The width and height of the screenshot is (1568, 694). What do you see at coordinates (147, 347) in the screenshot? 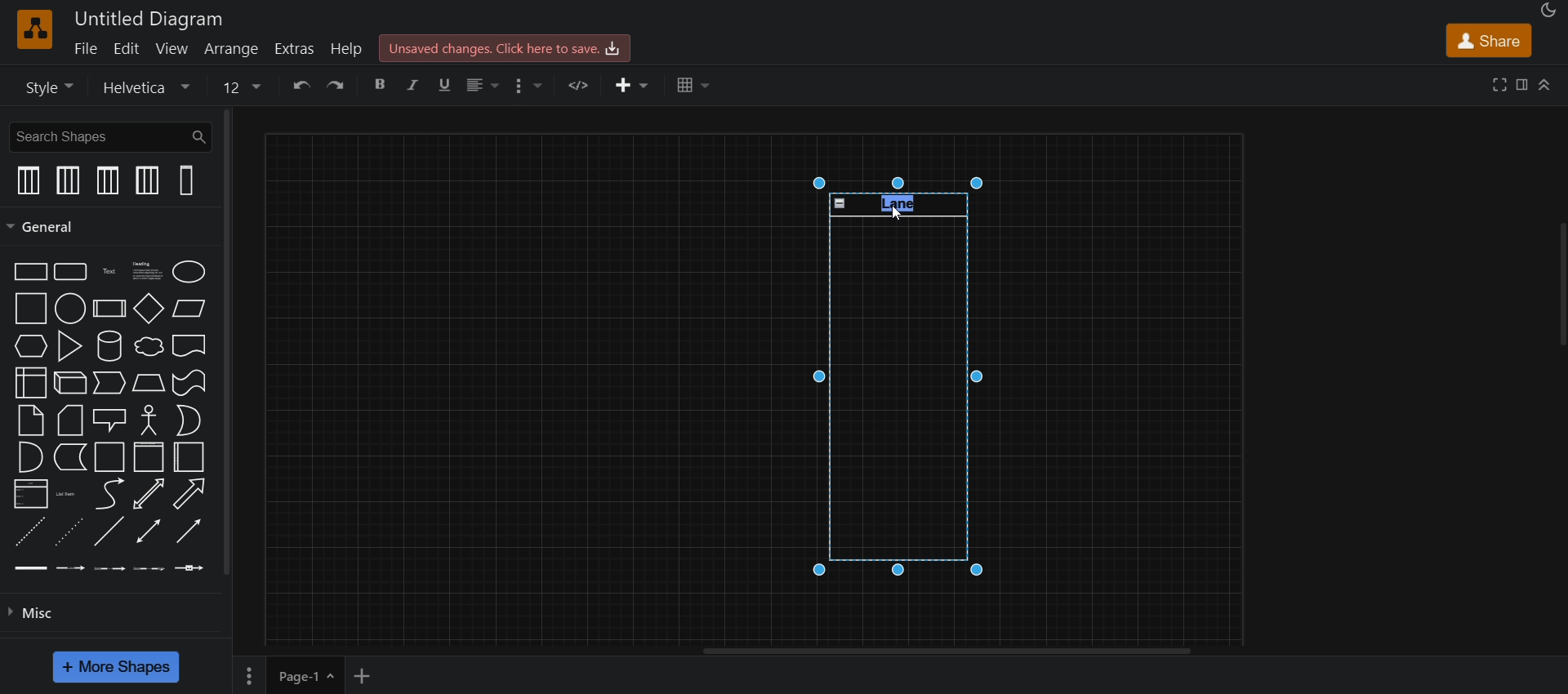
I see `cloud` at bounding box center [147, 347].